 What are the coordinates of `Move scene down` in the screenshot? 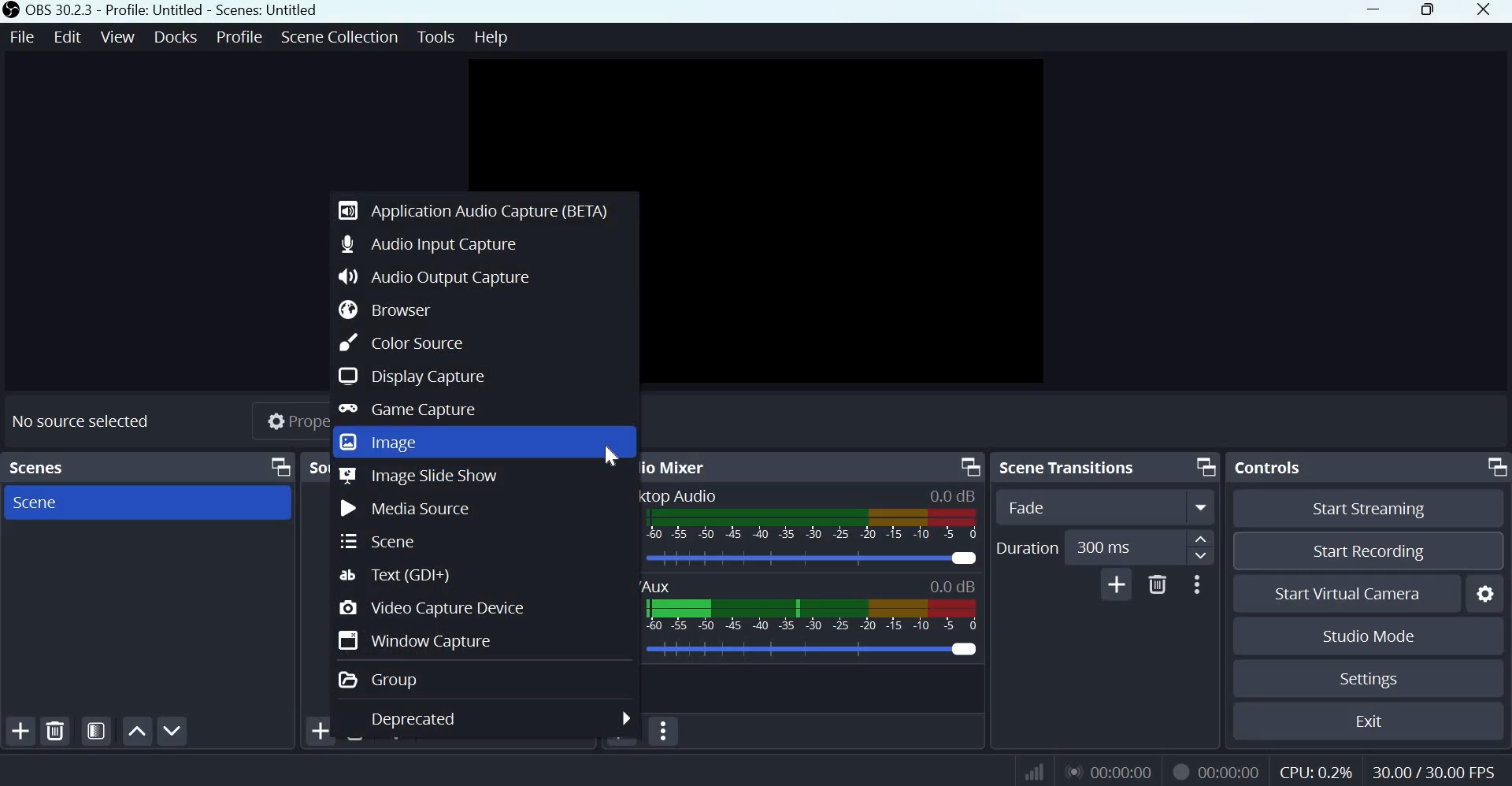 It's located at (172, 731).